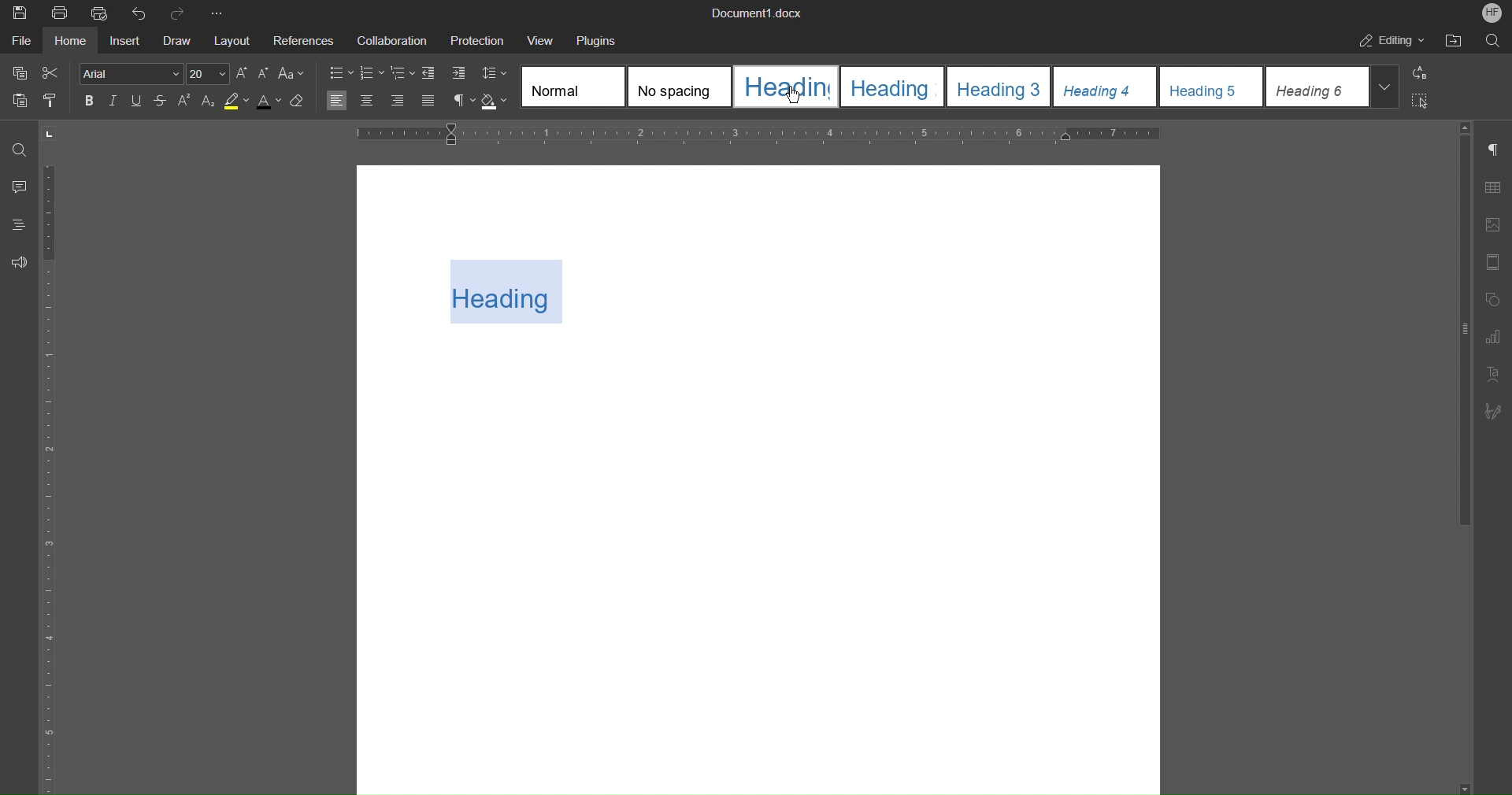 The width and height of the screenshot is (1512, 795). Describe the element at coordinates (540, 39) in the screenshot. I see `View` at that location.